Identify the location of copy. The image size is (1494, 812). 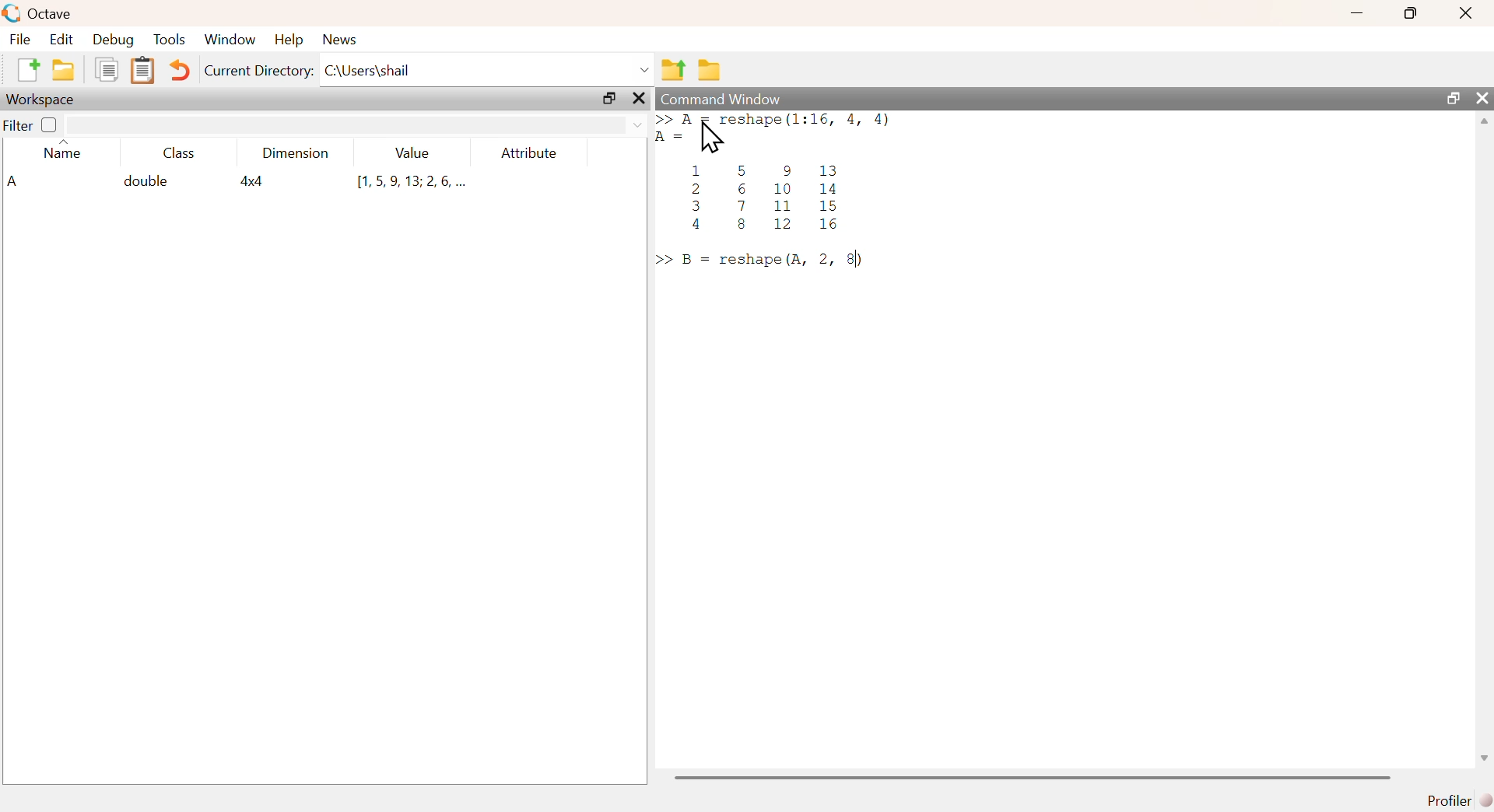
(108, 71).